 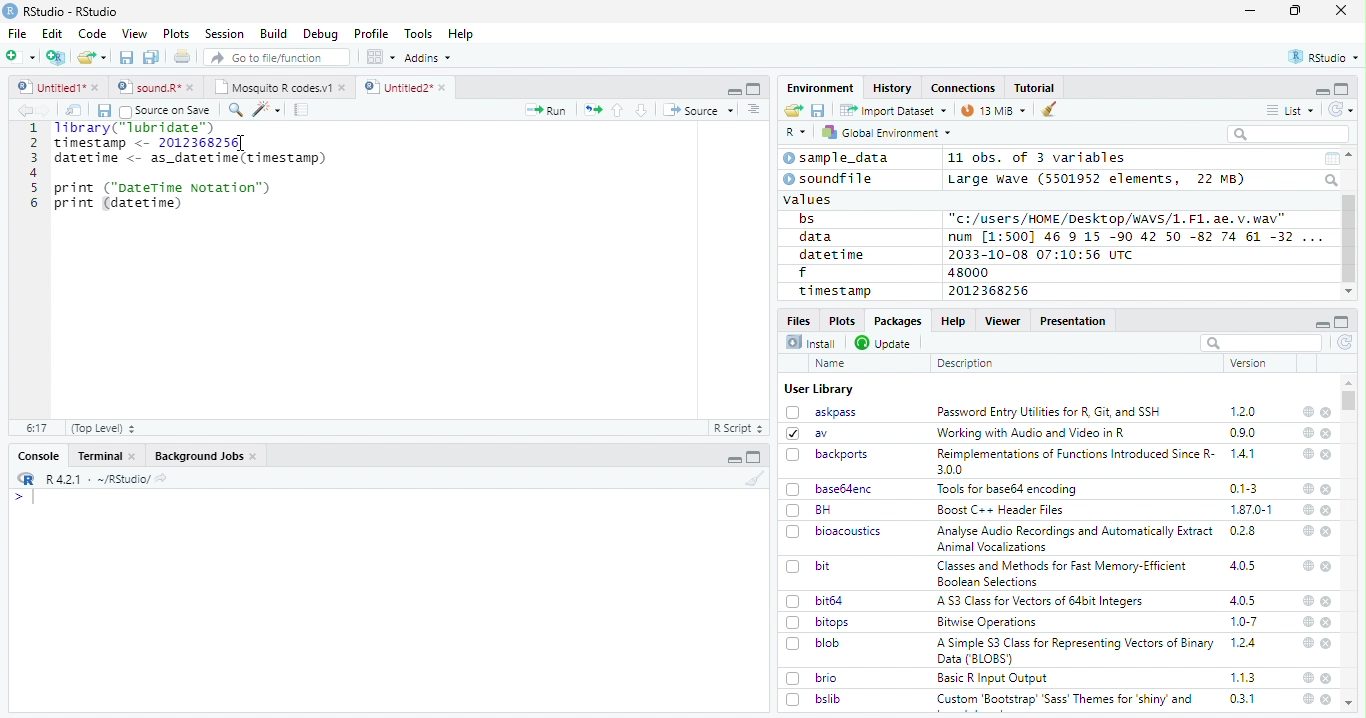 What do you see at coordinates (223, 34) in the screenshot?
I see `Session` at bounding box center [223, 34].